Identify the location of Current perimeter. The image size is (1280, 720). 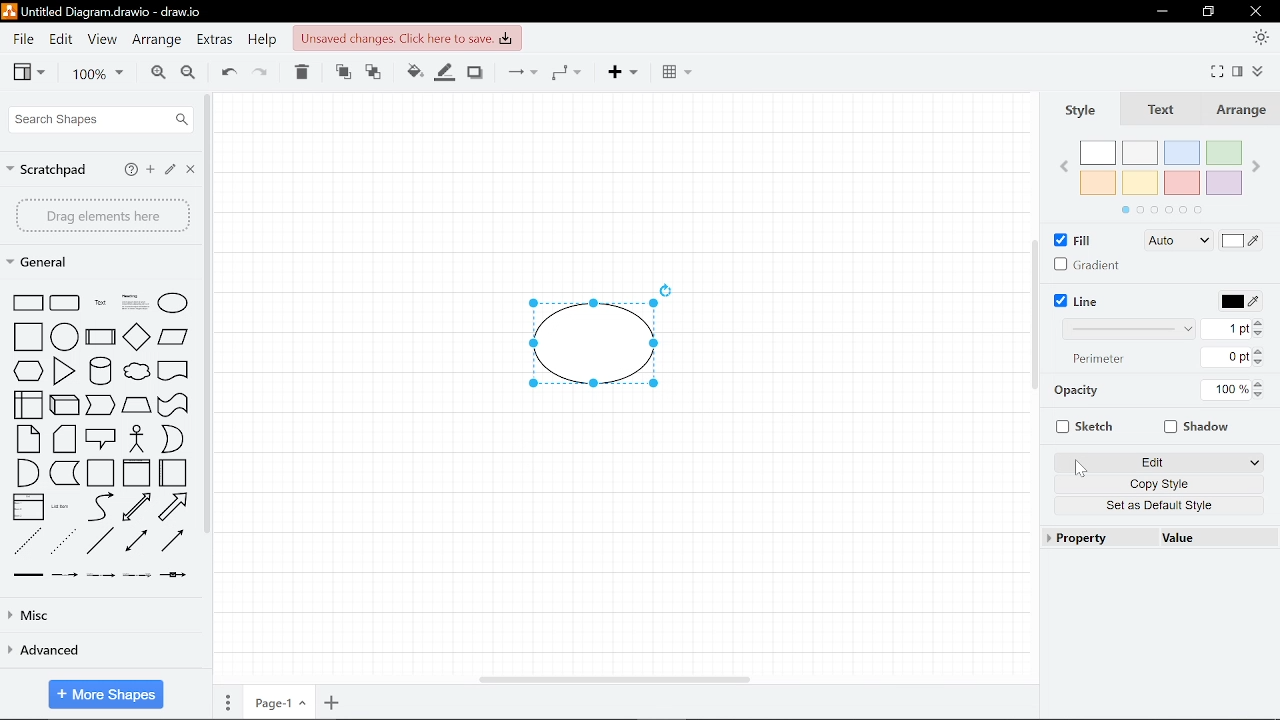
(1231, 358).